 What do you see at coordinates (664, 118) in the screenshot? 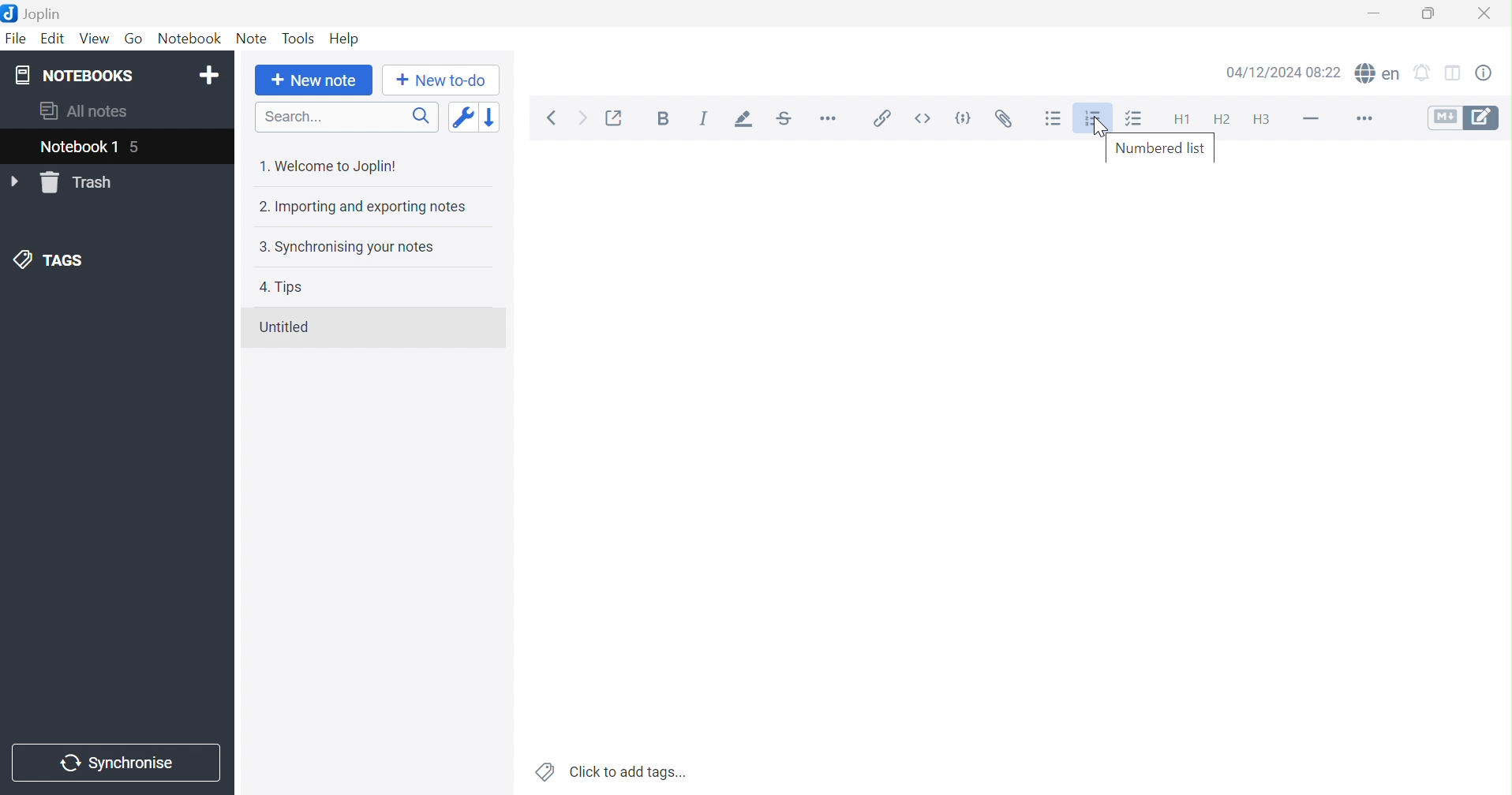
I see `Bold` at bounding box center [664, 118].